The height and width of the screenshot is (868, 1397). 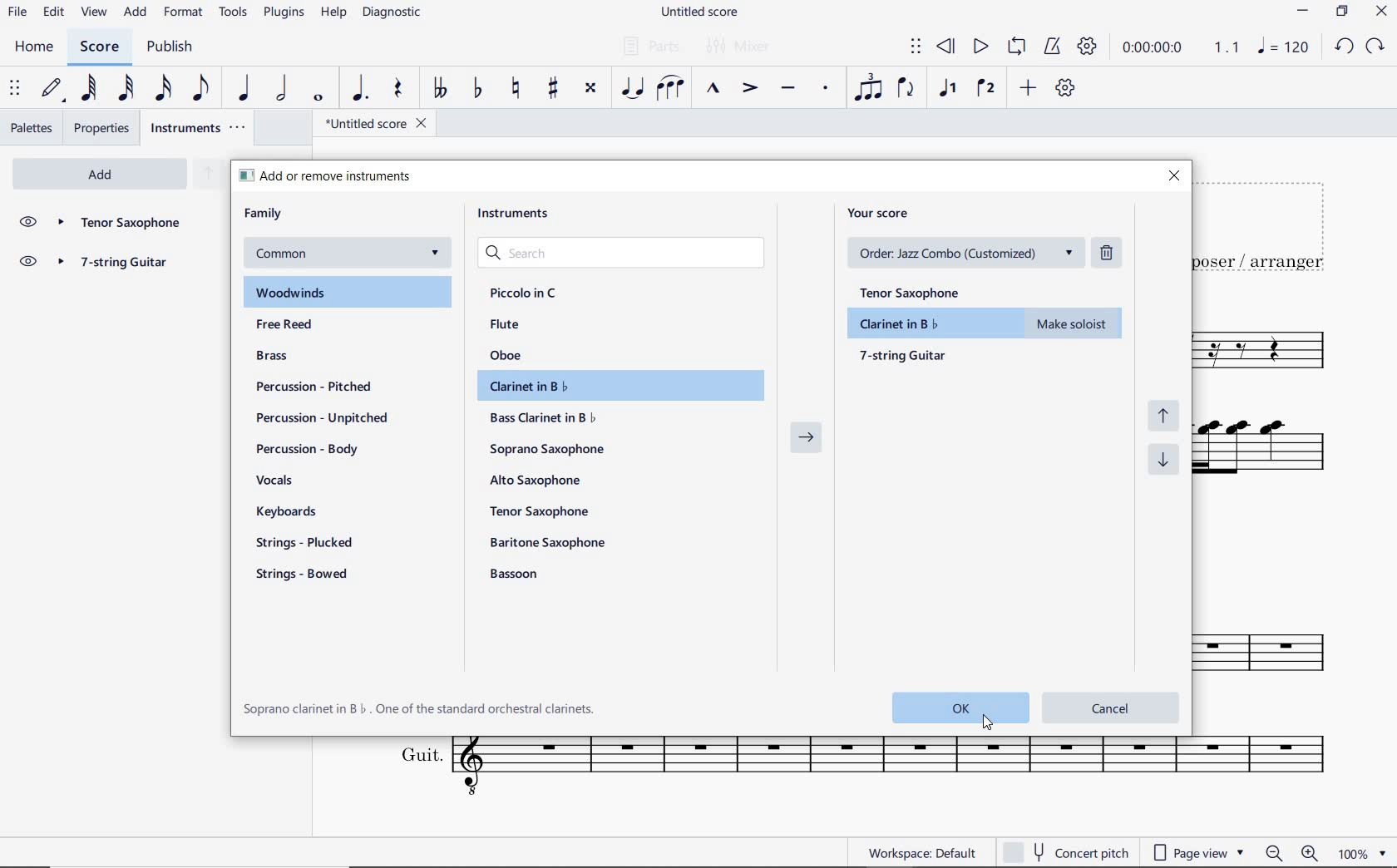 I want to click on REDO, so click(x=1374, y=47).